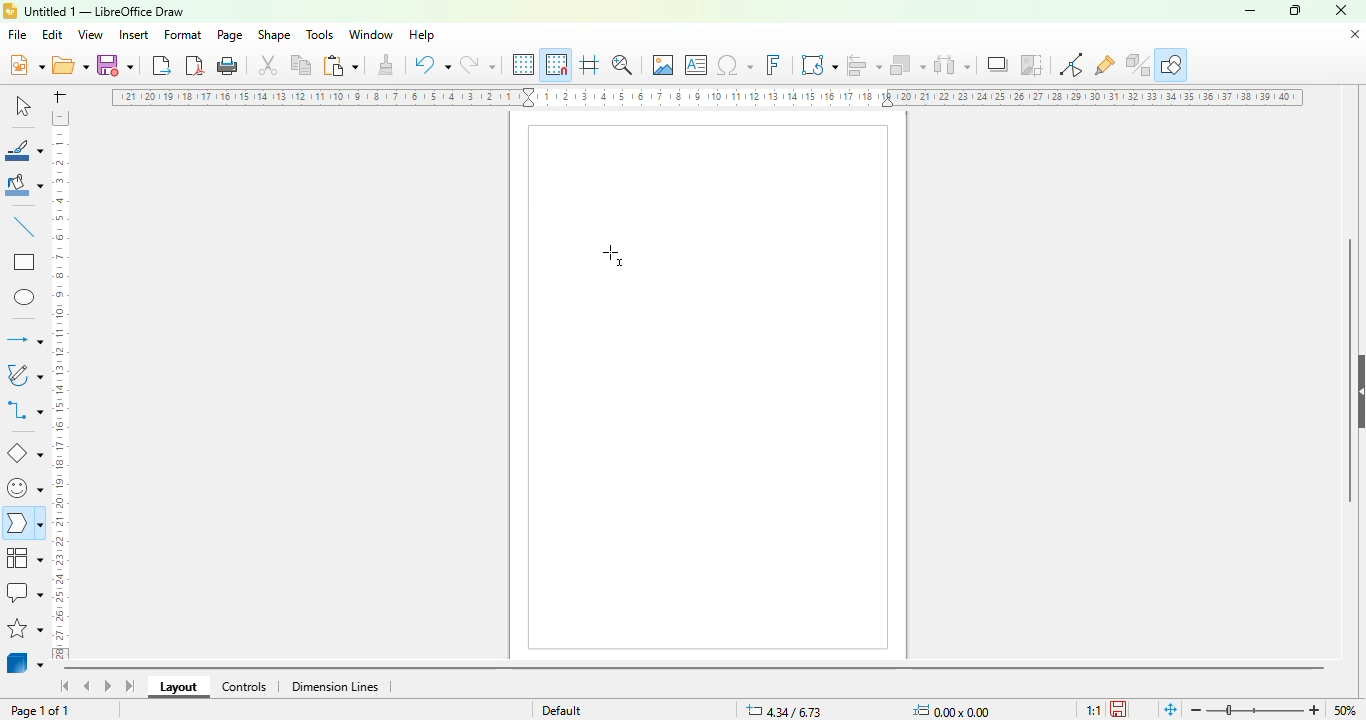 The image size is (1366, 720). Describe the element at coordinates (955, 710) in the screenshot. I see `width and height of the object` at that location.